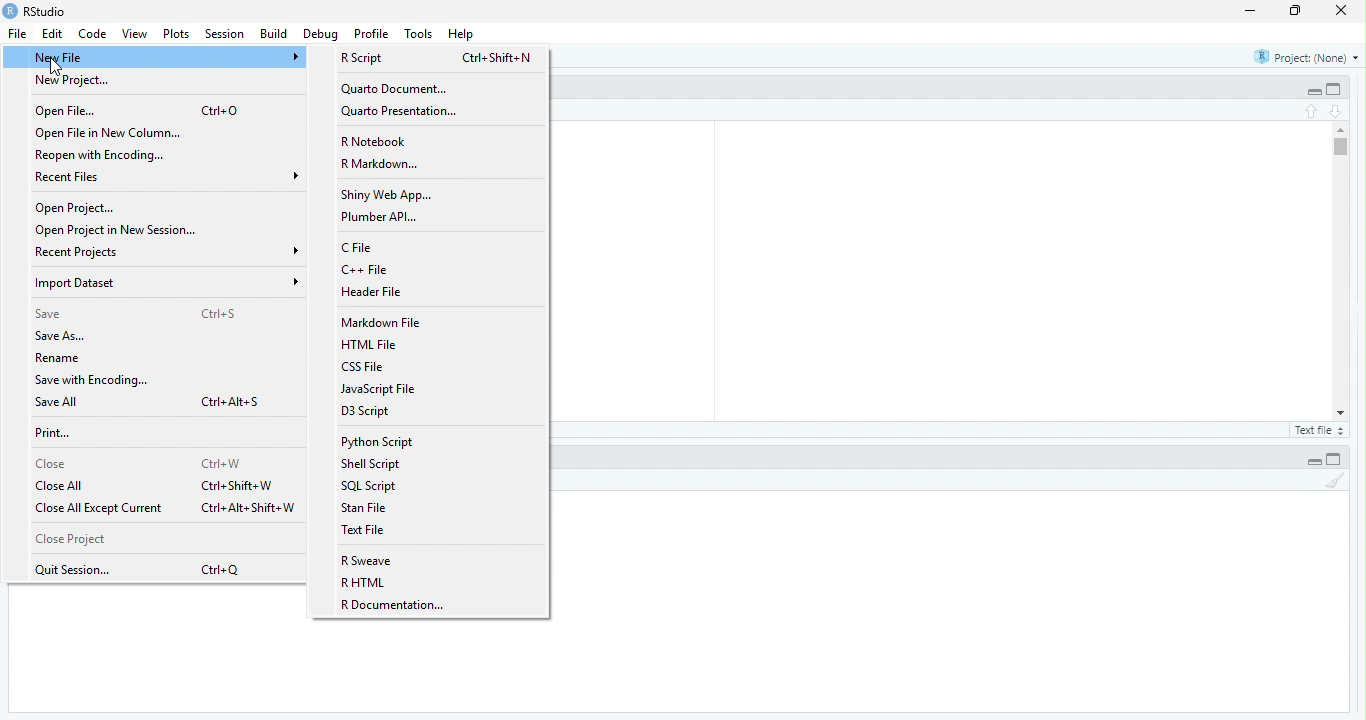 Image resolution: width=1366 pixels, height=720 pixels. What do you see at coordinates (1253, 10) in the screenshot?
I see `minimise` at bounding box center [1253, 10].